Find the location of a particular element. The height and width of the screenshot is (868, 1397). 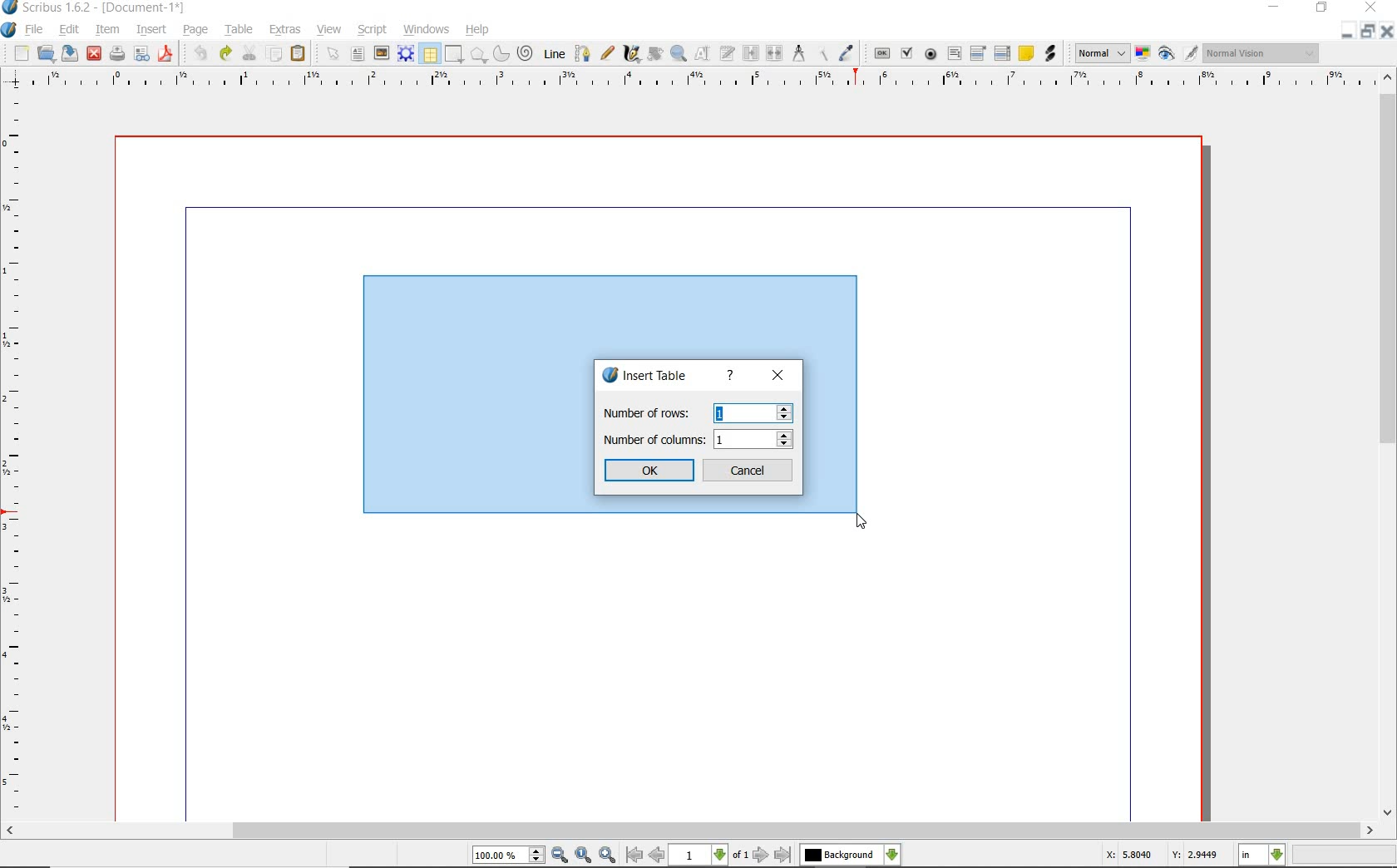

zoom in is located at coordinates (608, 856).